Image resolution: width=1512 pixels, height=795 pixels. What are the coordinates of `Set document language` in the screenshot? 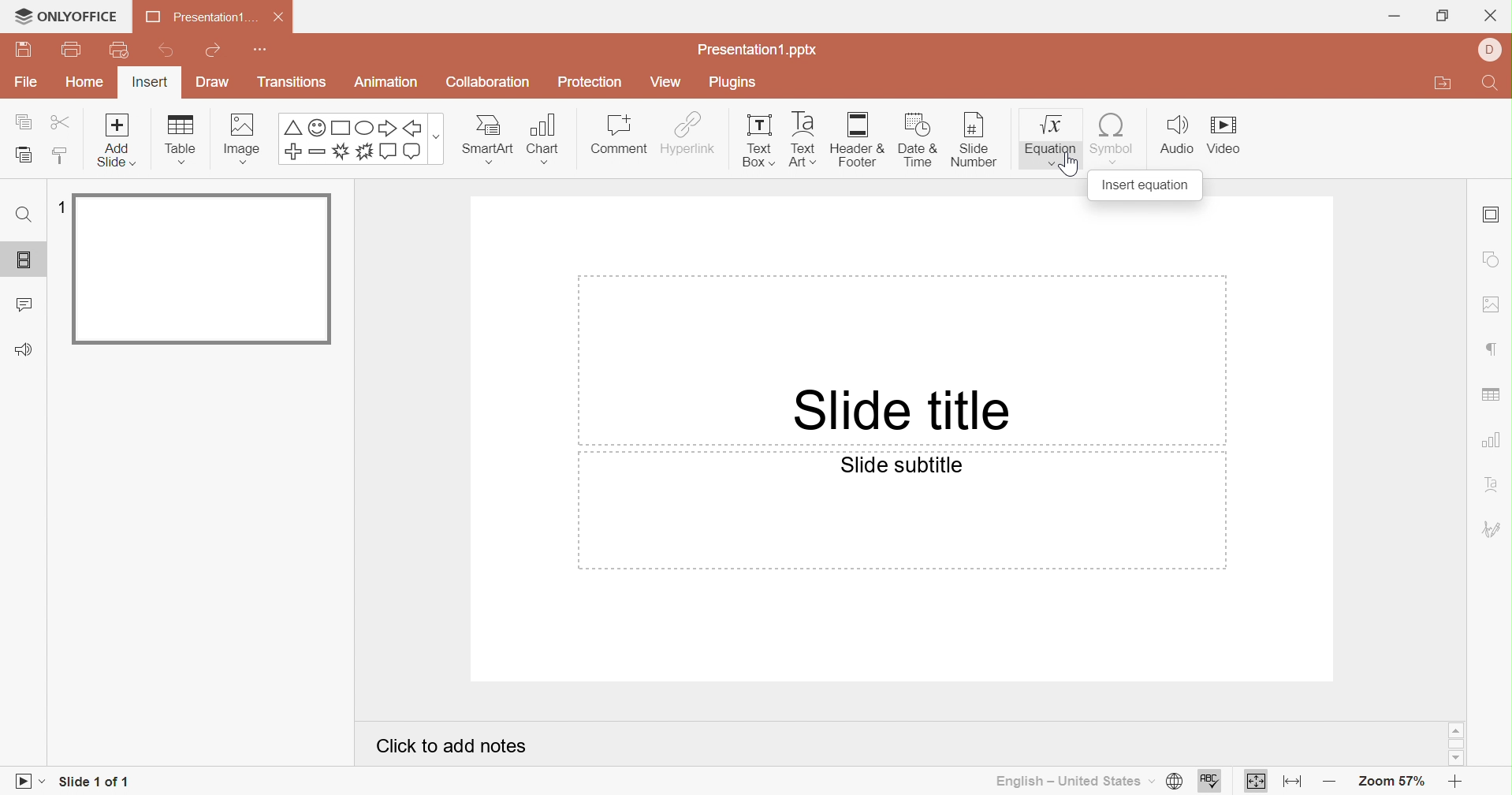 It's located at (1175, 782).